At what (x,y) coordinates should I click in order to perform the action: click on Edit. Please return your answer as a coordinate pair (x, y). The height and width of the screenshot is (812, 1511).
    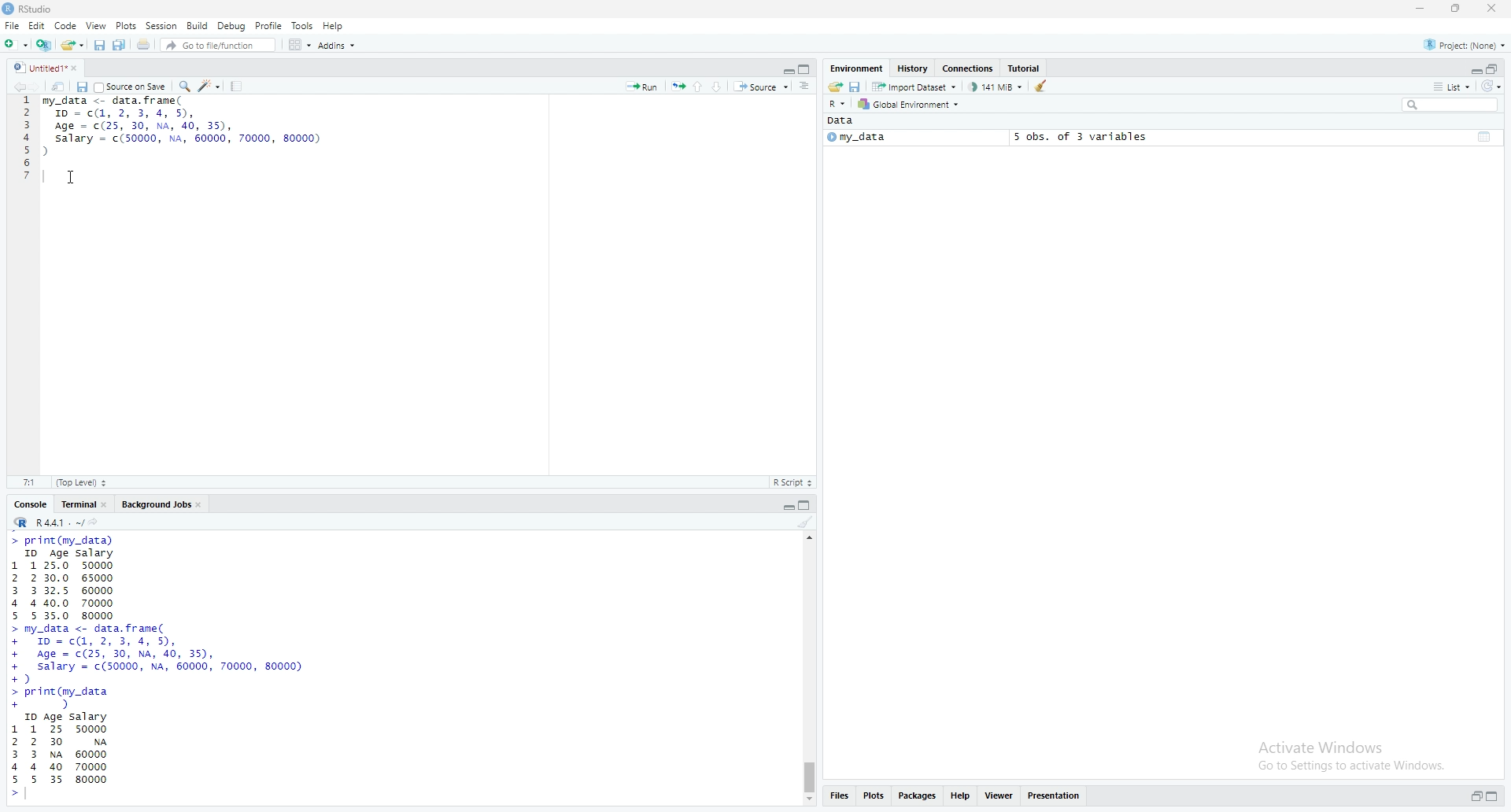
    Looking at the image, I should click on (37, 27).